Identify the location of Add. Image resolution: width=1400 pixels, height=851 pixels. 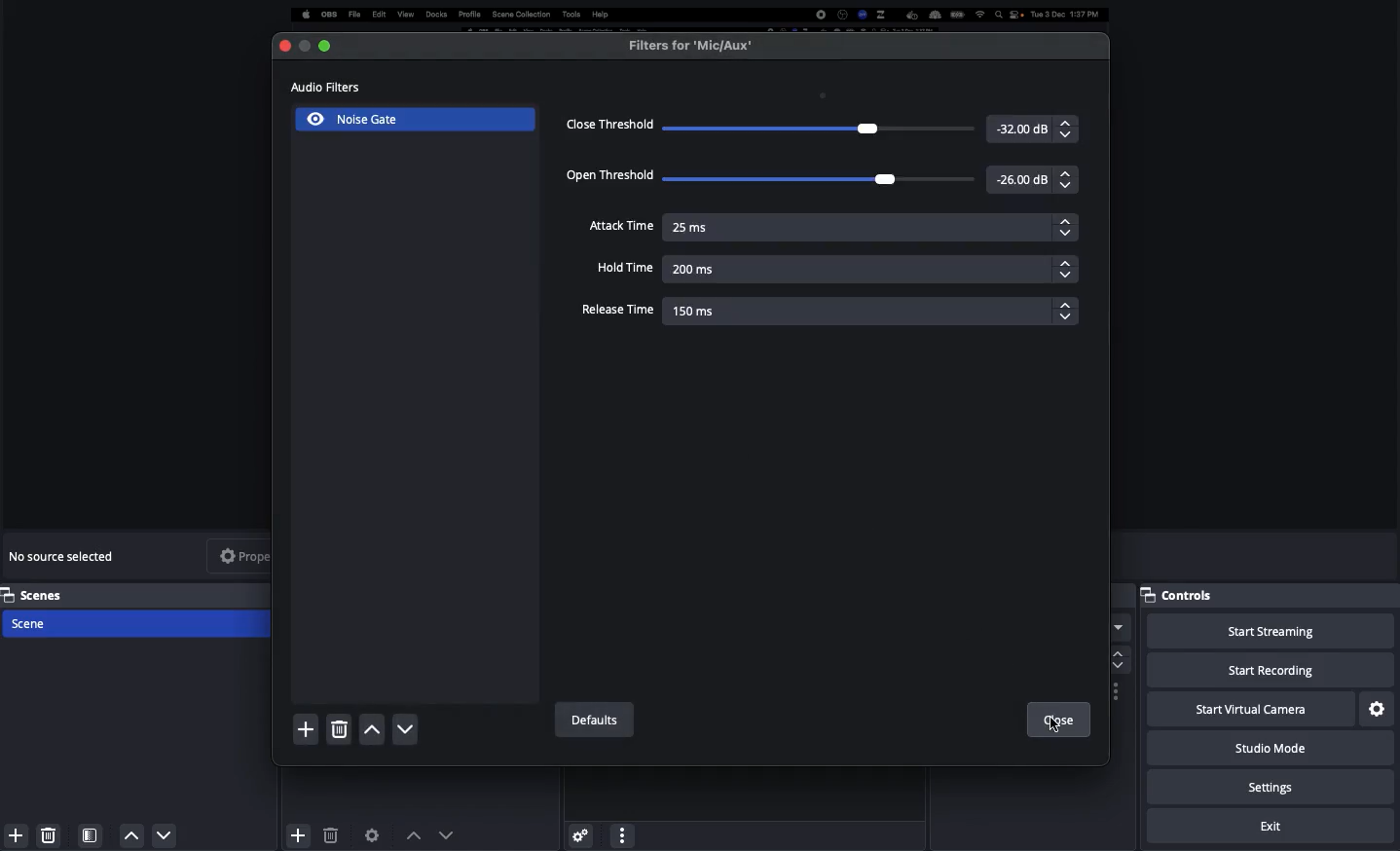
(296, 832).